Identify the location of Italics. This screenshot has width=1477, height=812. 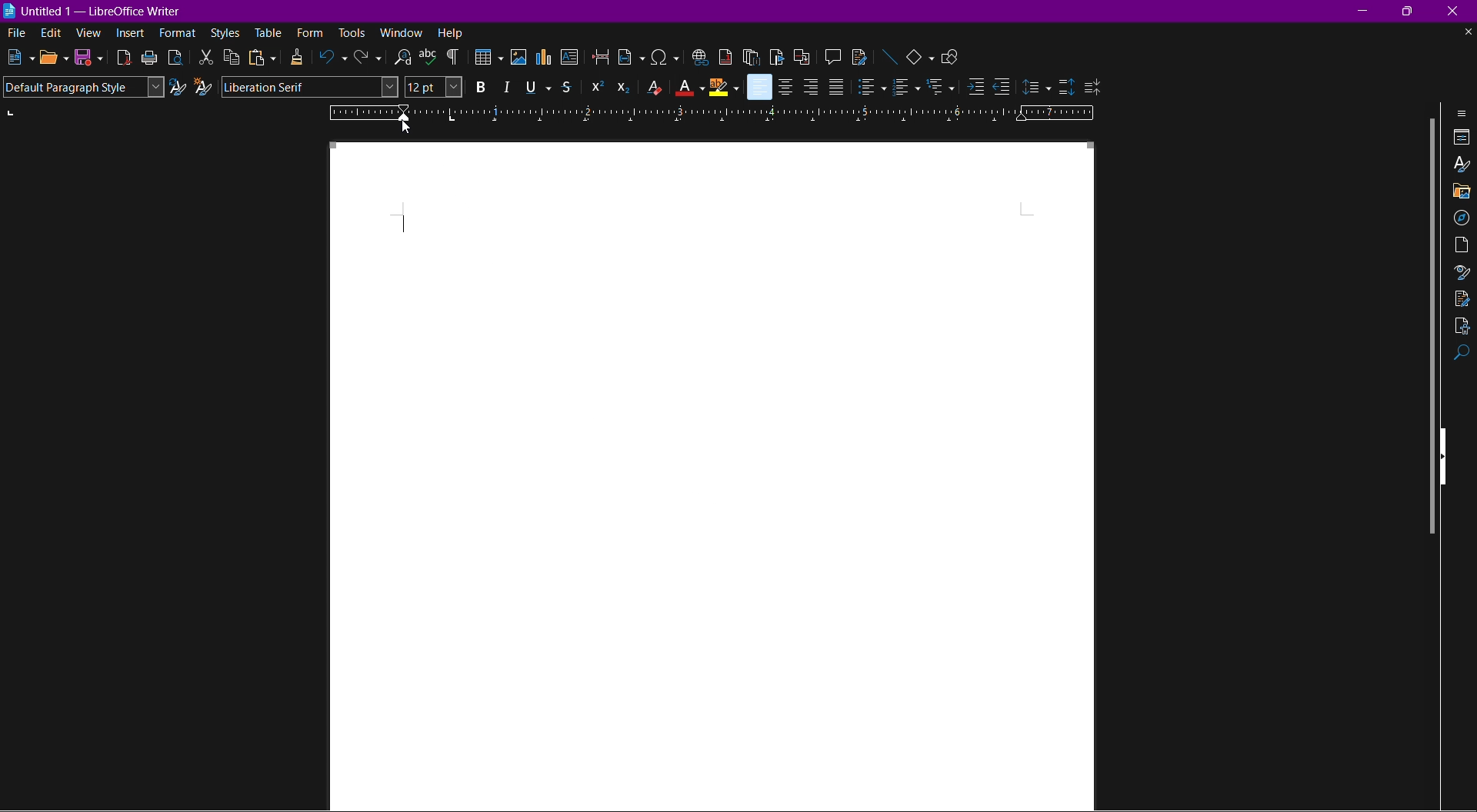
(506, 87).